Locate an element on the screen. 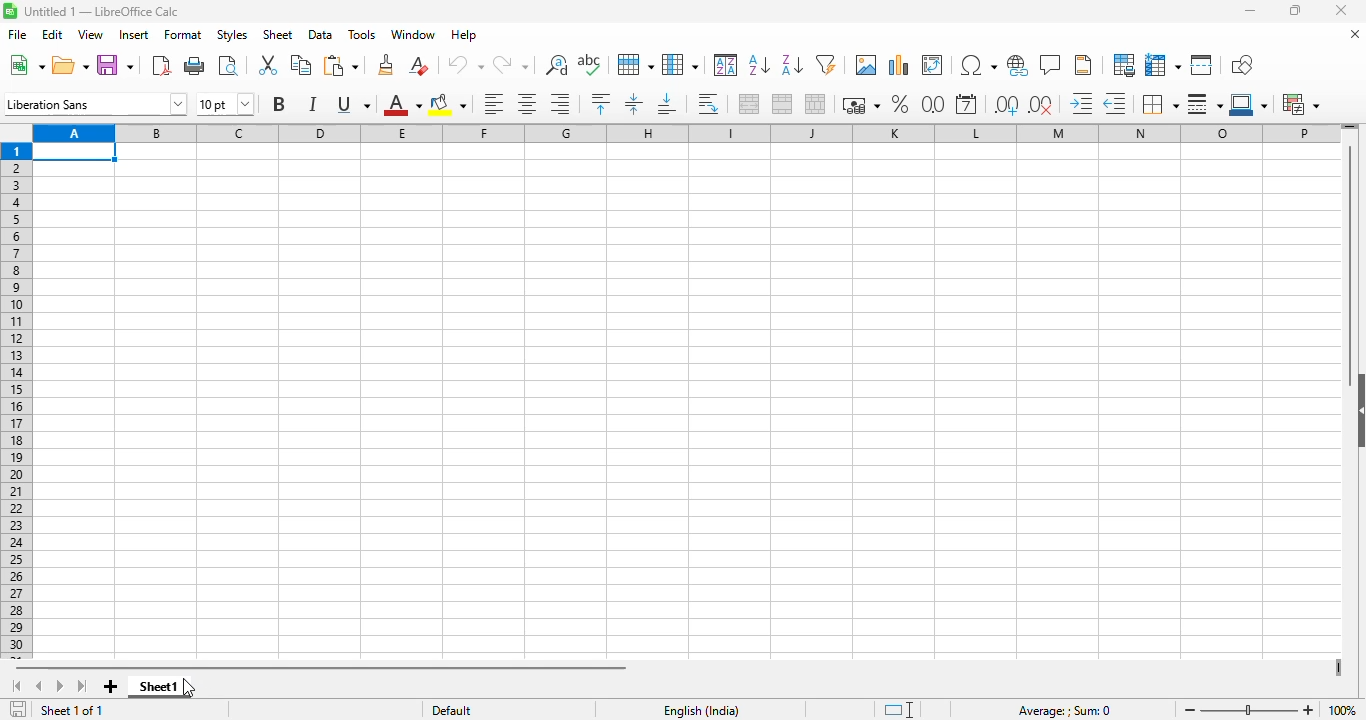  format as date is located at coordinates (967, 103).